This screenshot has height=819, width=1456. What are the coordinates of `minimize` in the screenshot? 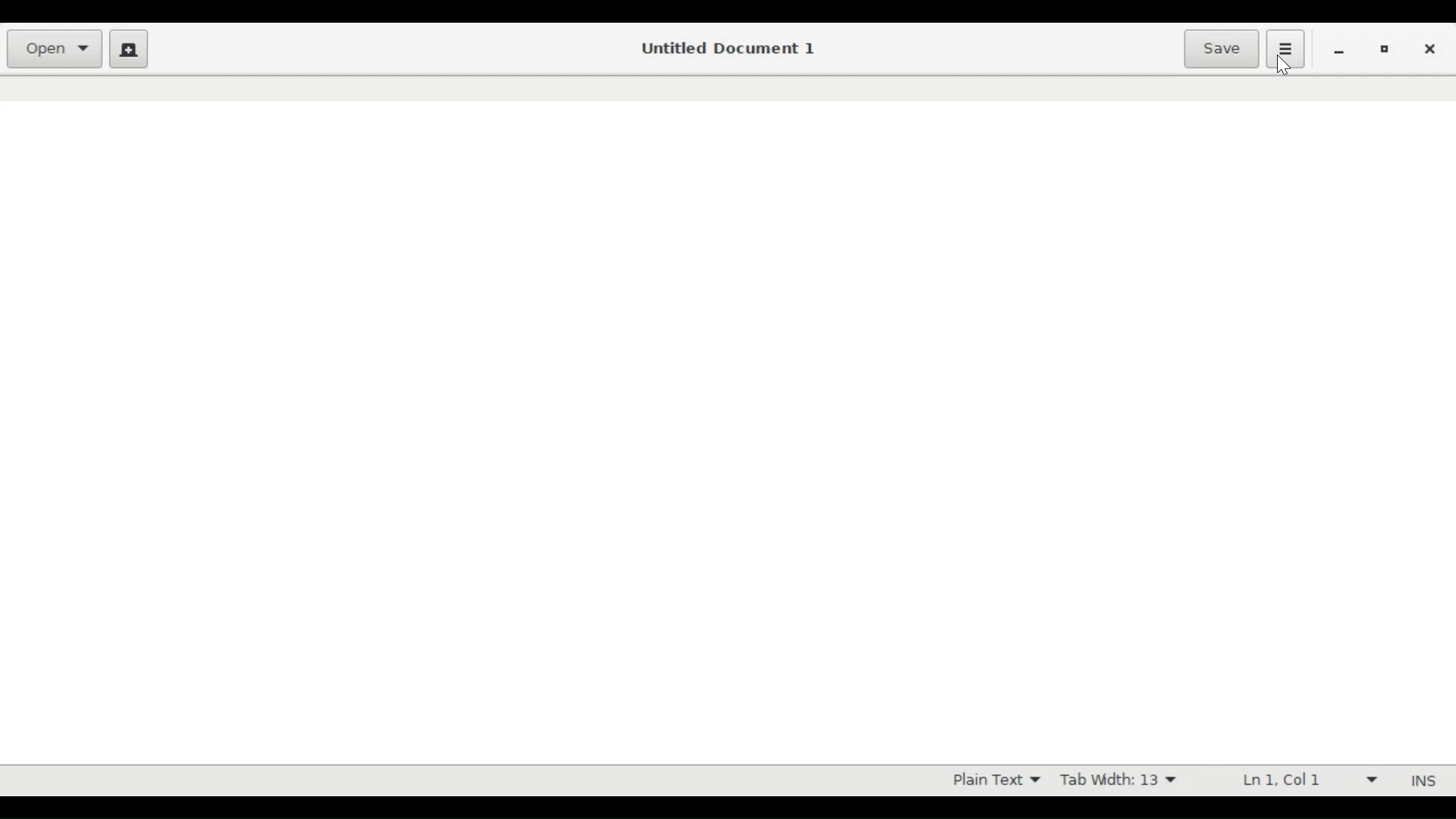 It's located at (1336, 51).